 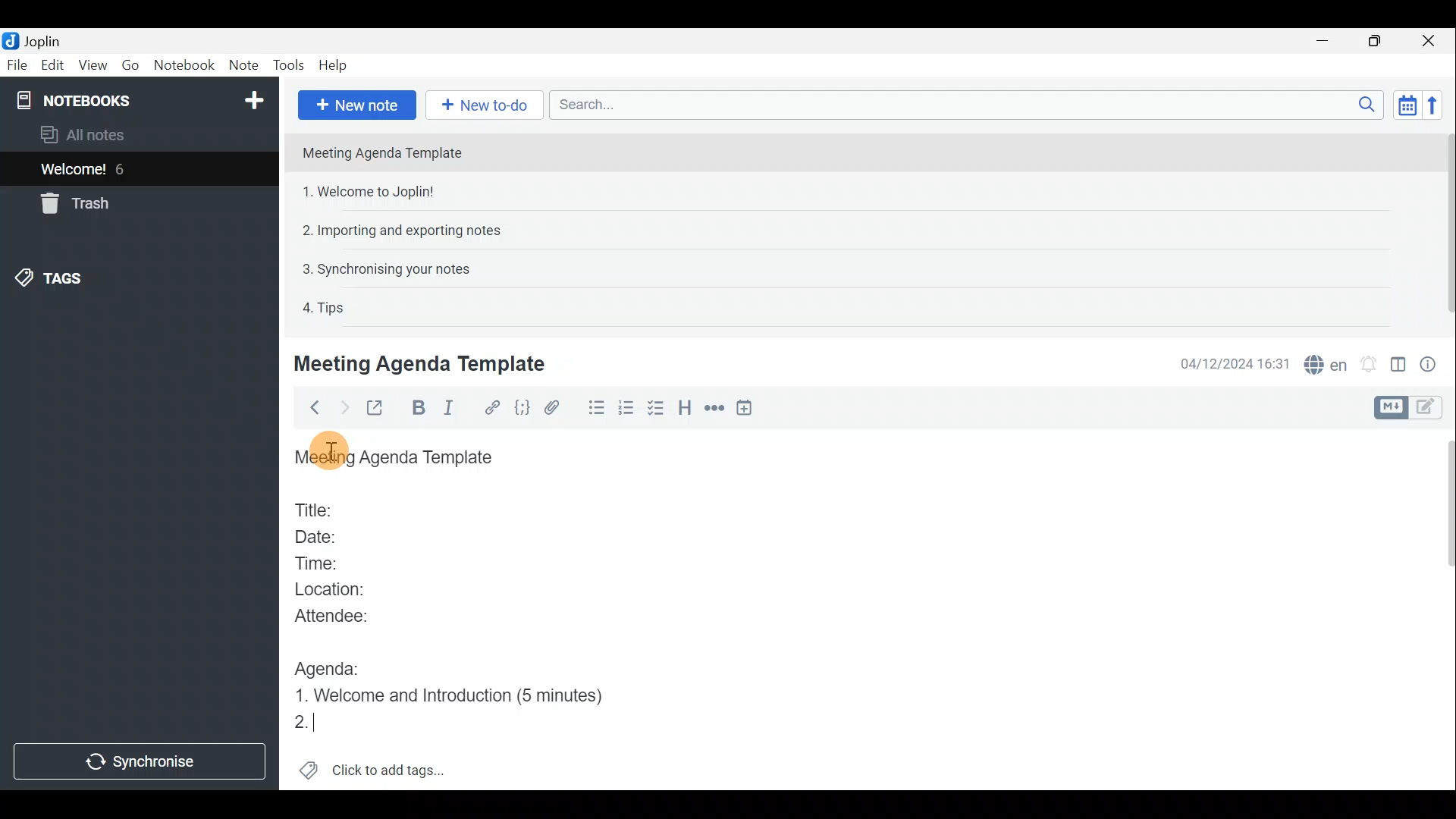 What do you see at coordinates (74, 171) in the screenshot?
I see `Welcome!` at bounding box center [74, 171].